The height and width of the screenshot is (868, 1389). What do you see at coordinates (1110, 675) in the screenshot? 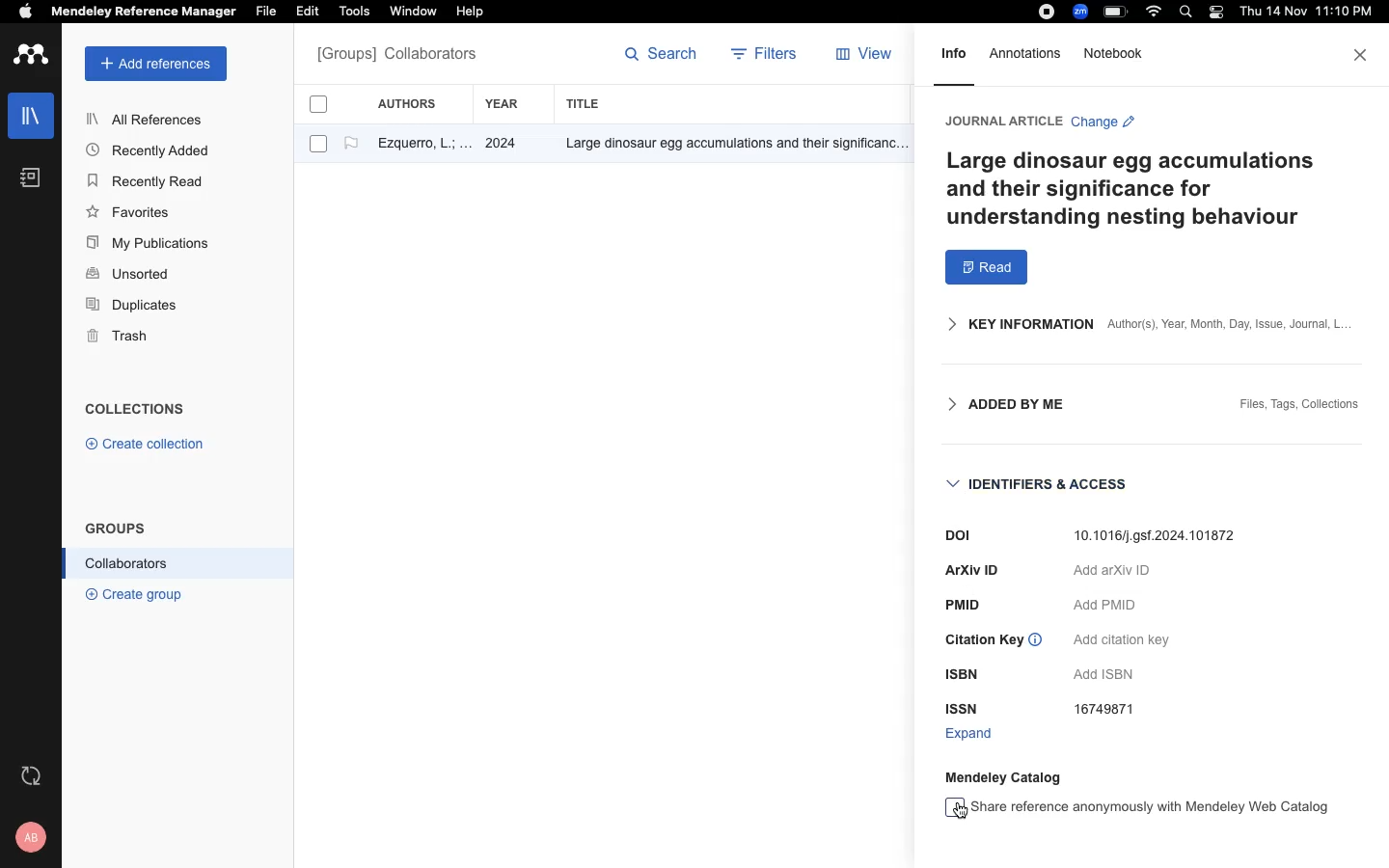
I see `‘Add ISBN` at bounding box center [1110, 675].